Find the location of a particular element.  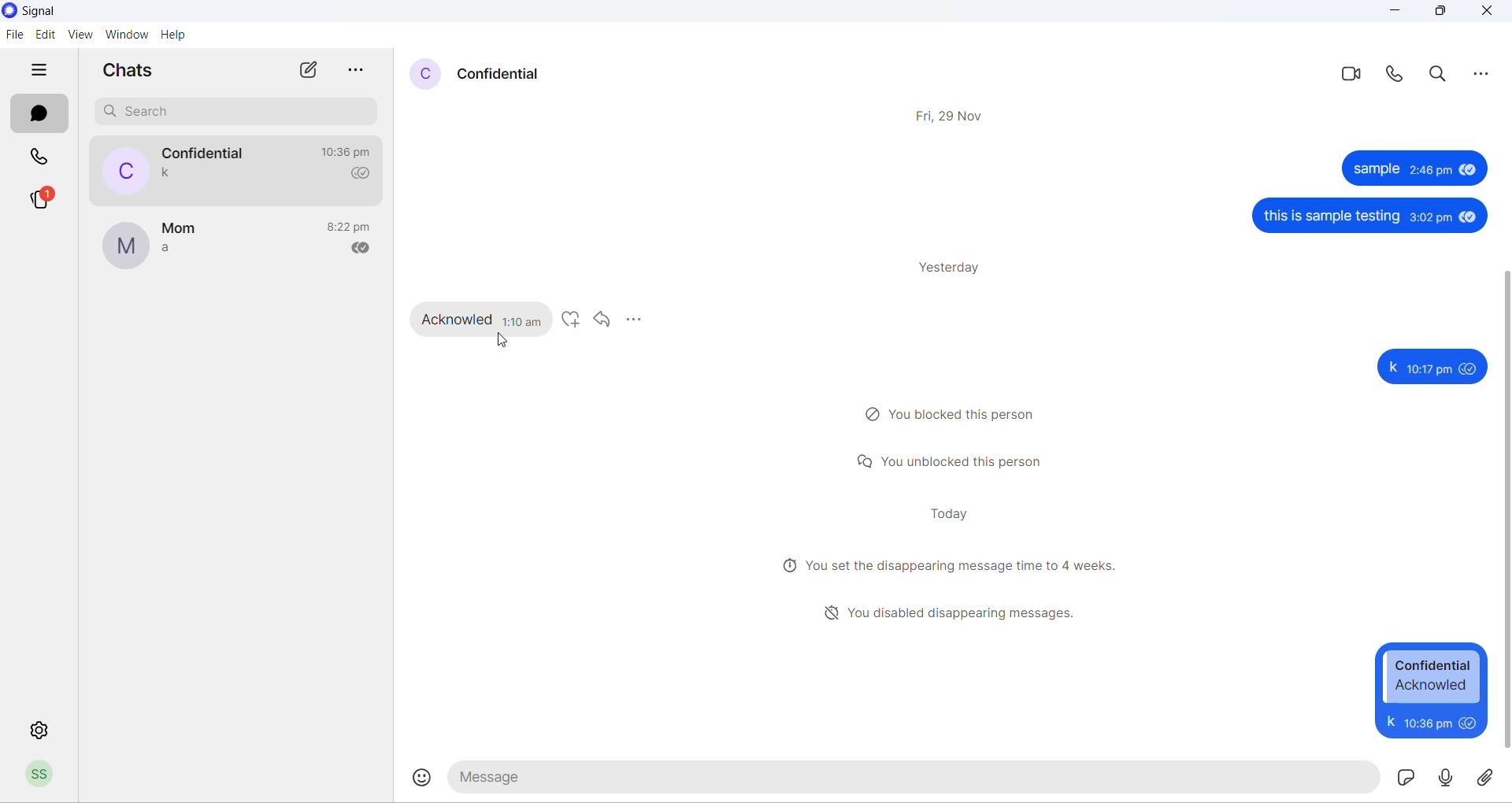

unblock notification is located at coordinates (953, 464).